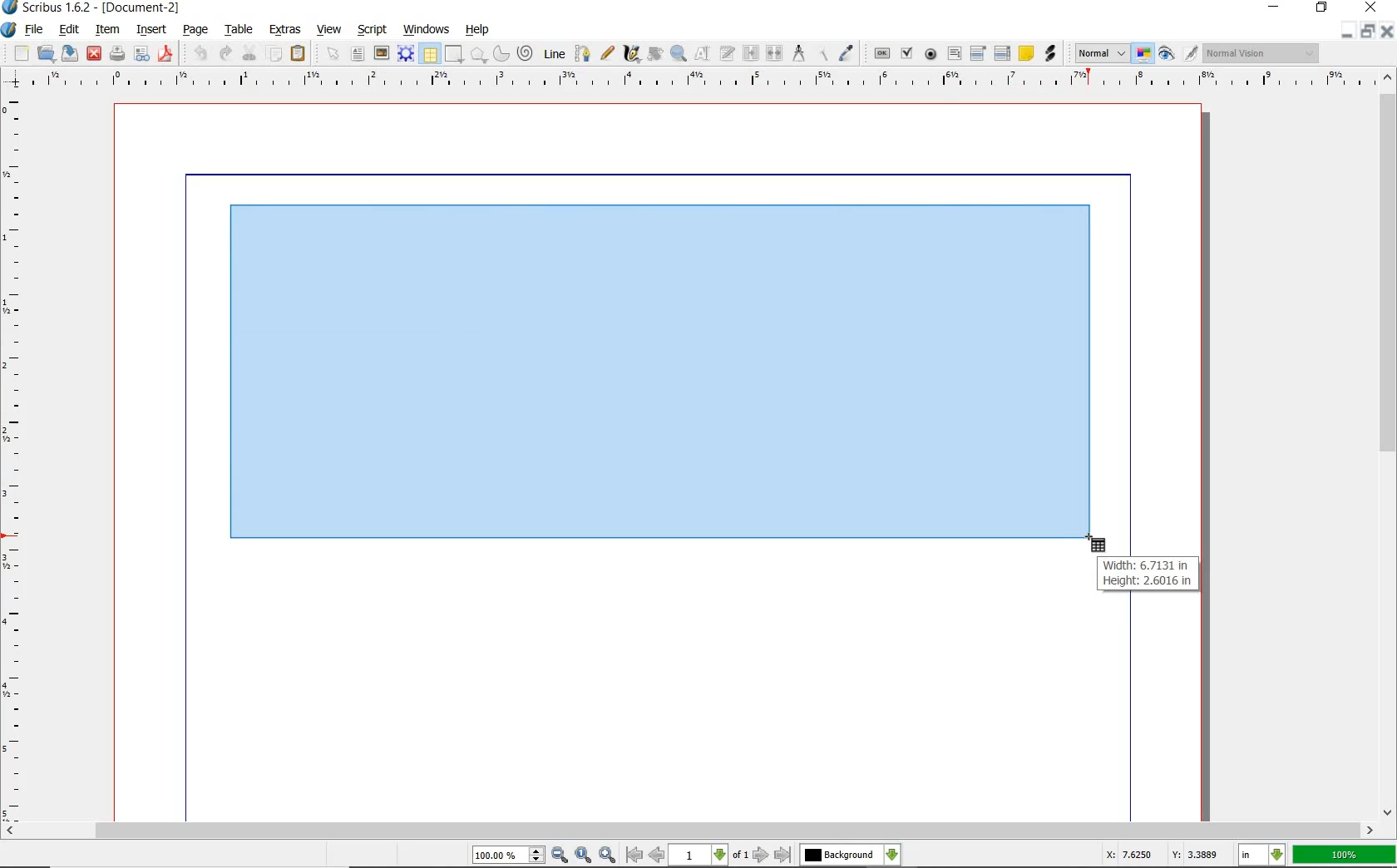 The image size is (1397, 868). What do you see at coordinates (15, 458) in the screenshot?
I see `ruler` at bounding box center [15, 458].